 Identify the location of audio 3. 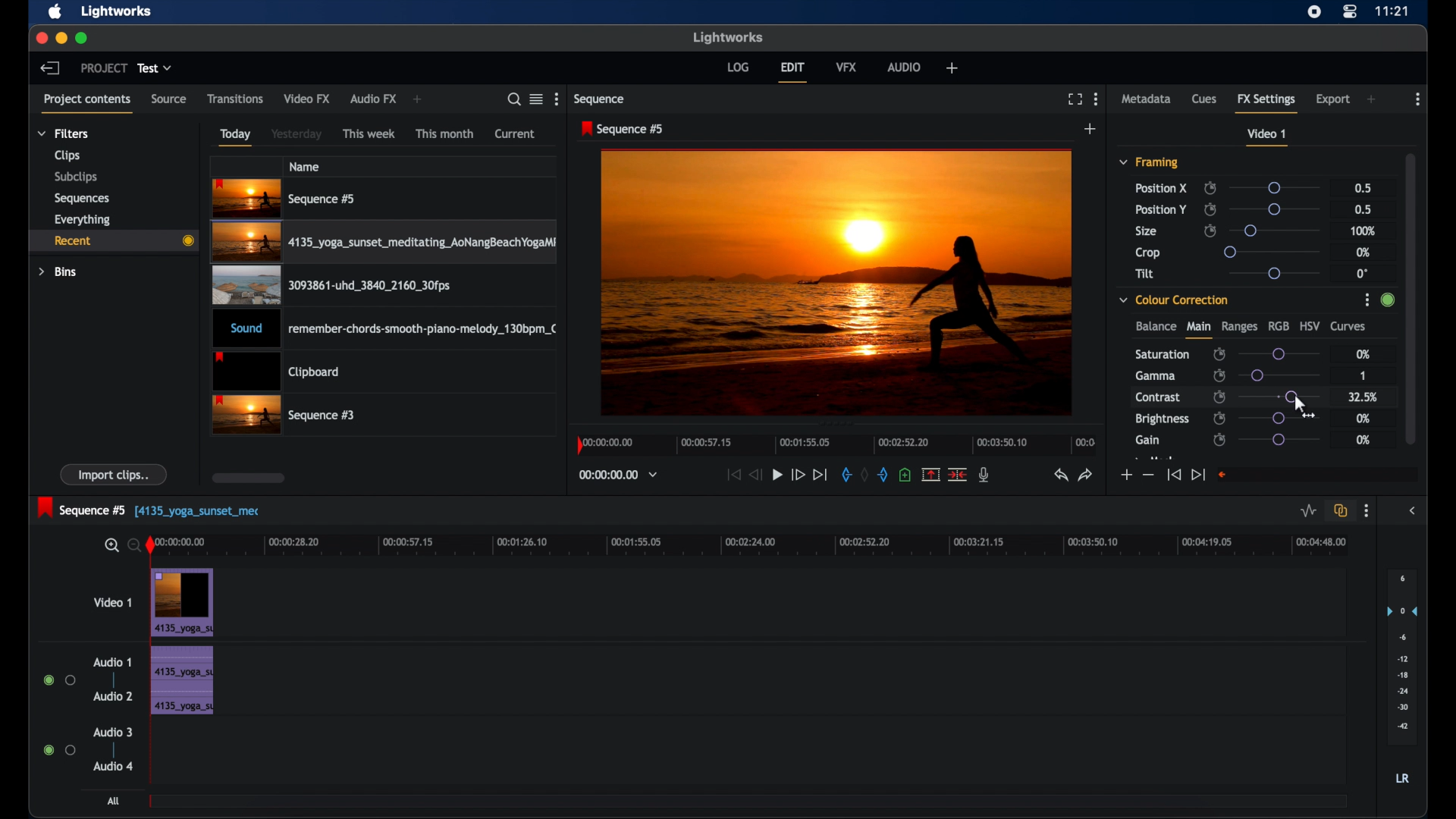
(114, 733).